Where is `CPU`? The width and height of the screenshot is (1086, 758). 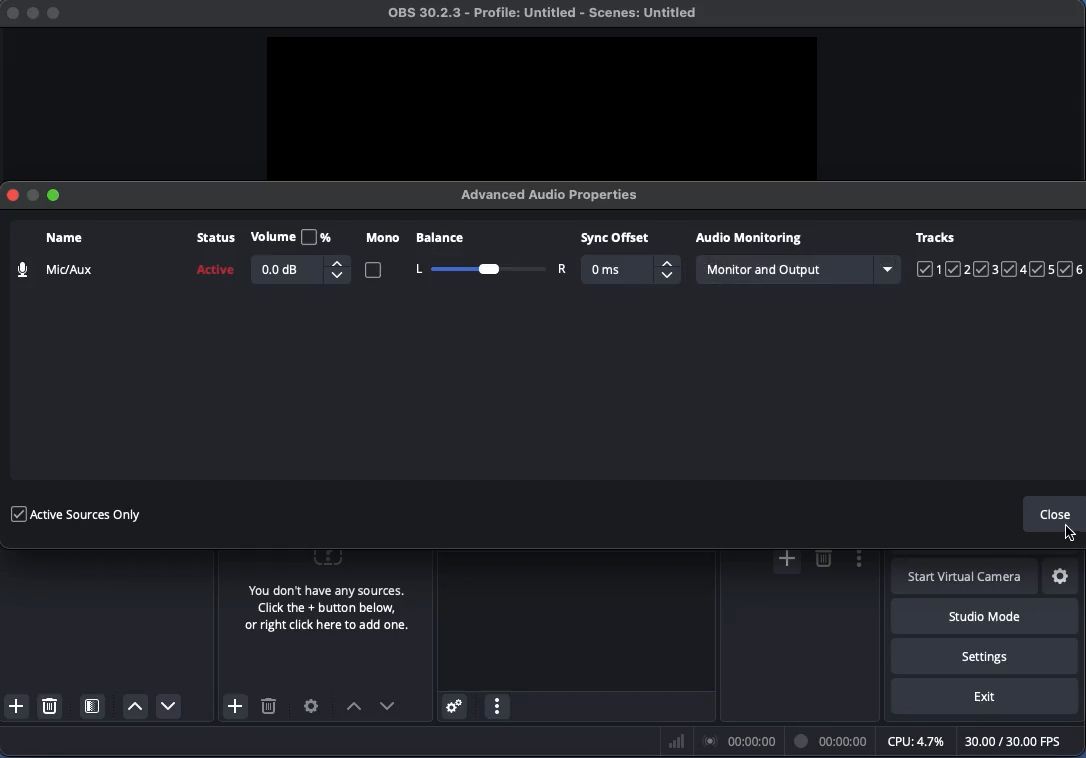 CPU is located at coordinates (914, 740).